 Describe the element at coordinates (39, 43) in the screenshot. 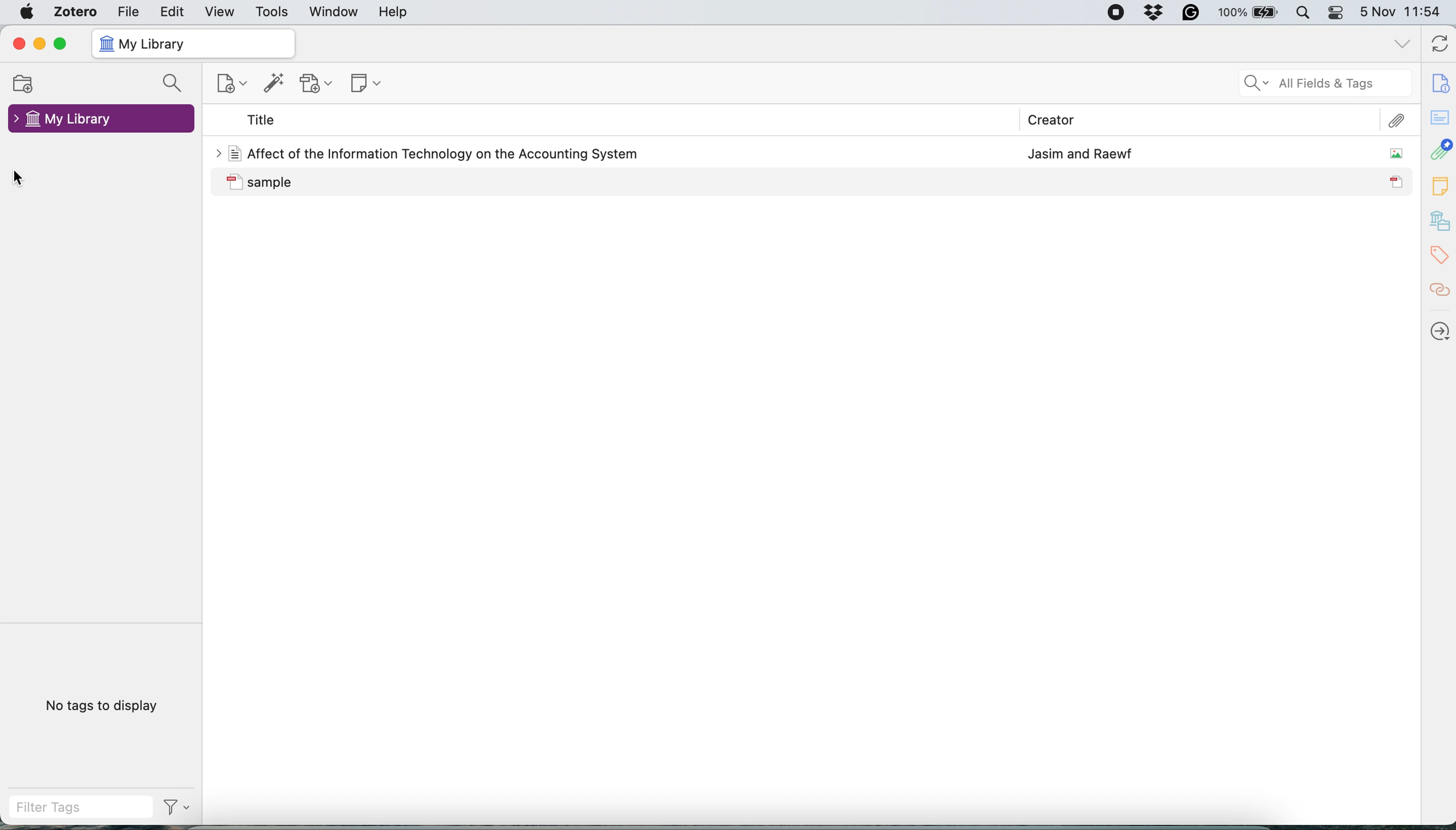

I see `minimise` at that location.